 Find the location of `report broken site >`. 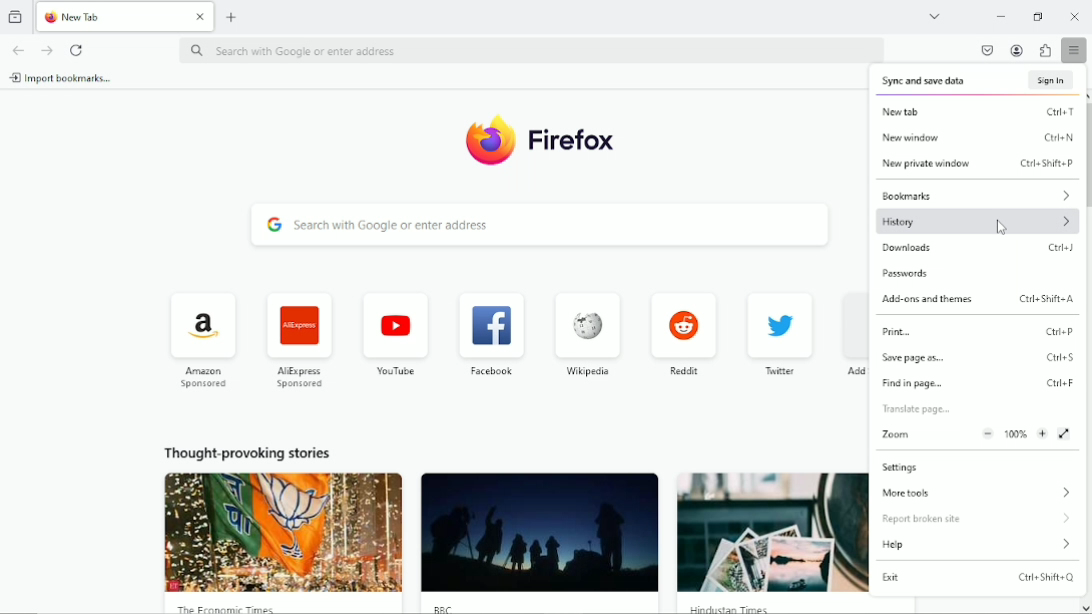

report broken site > is located at coordinates (981, 519).